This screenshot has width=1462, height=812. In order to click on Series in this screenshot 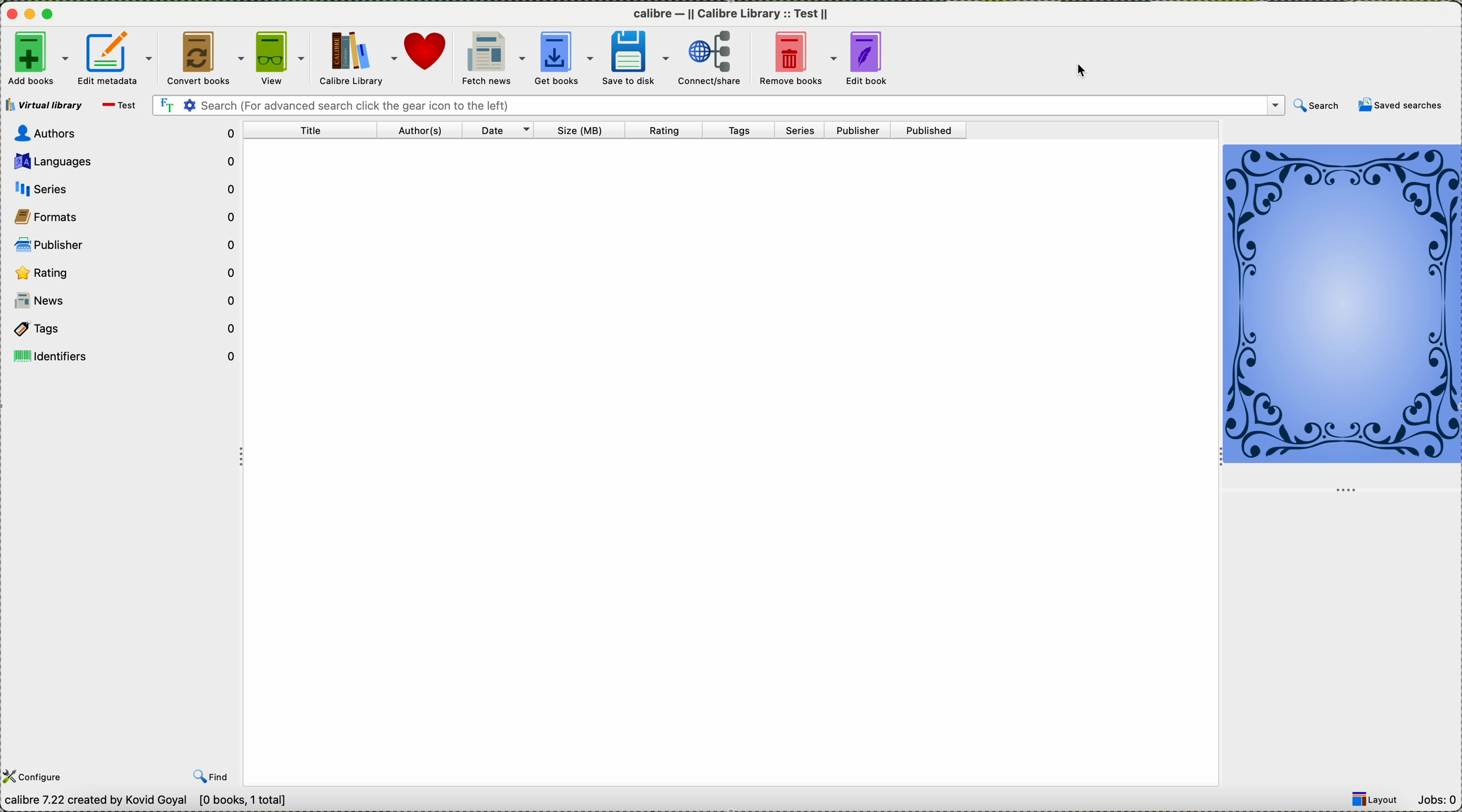, I will do `click(123, 190)`.